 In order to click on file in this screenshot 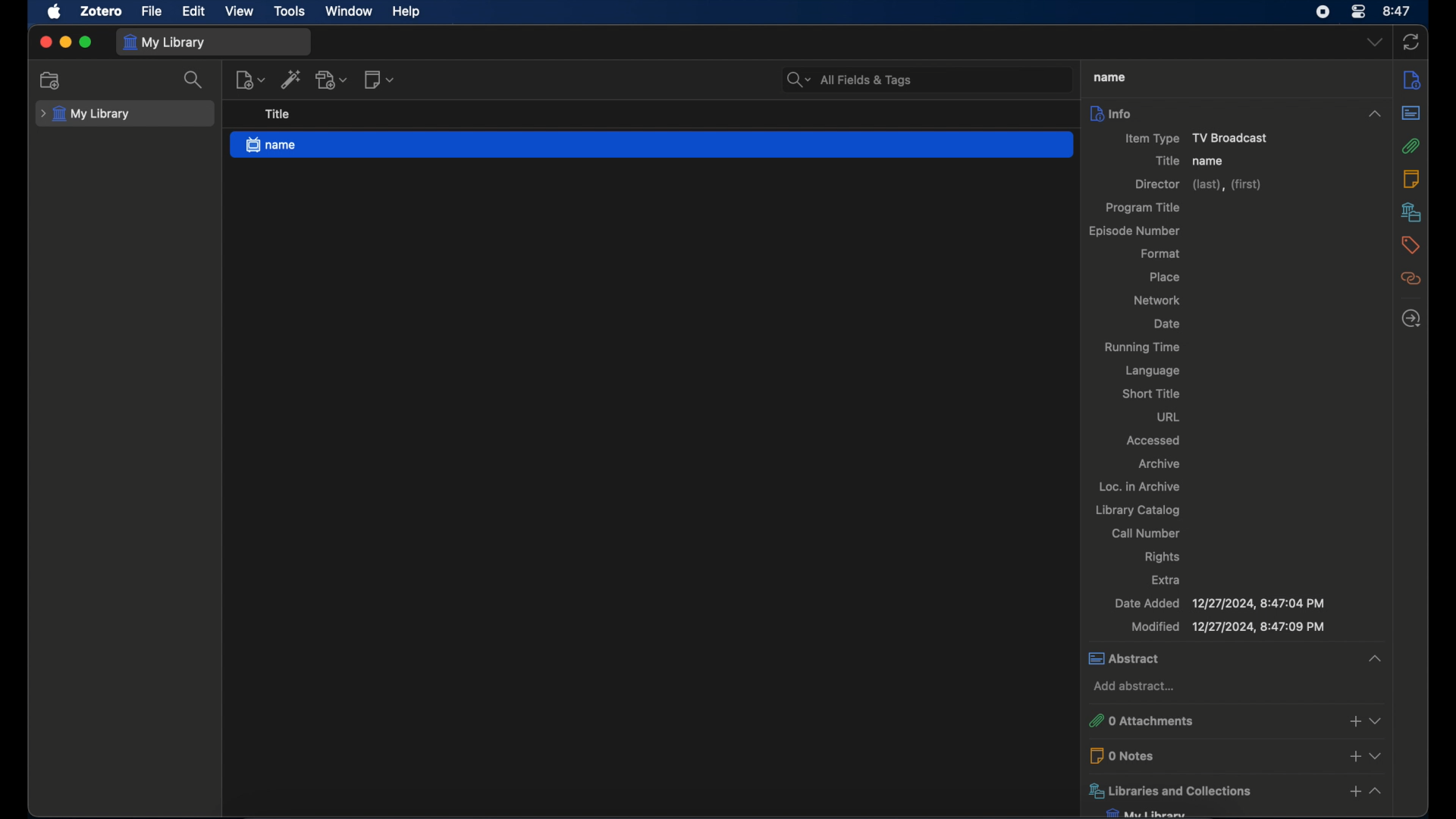, I will do `click(152, 12)`.